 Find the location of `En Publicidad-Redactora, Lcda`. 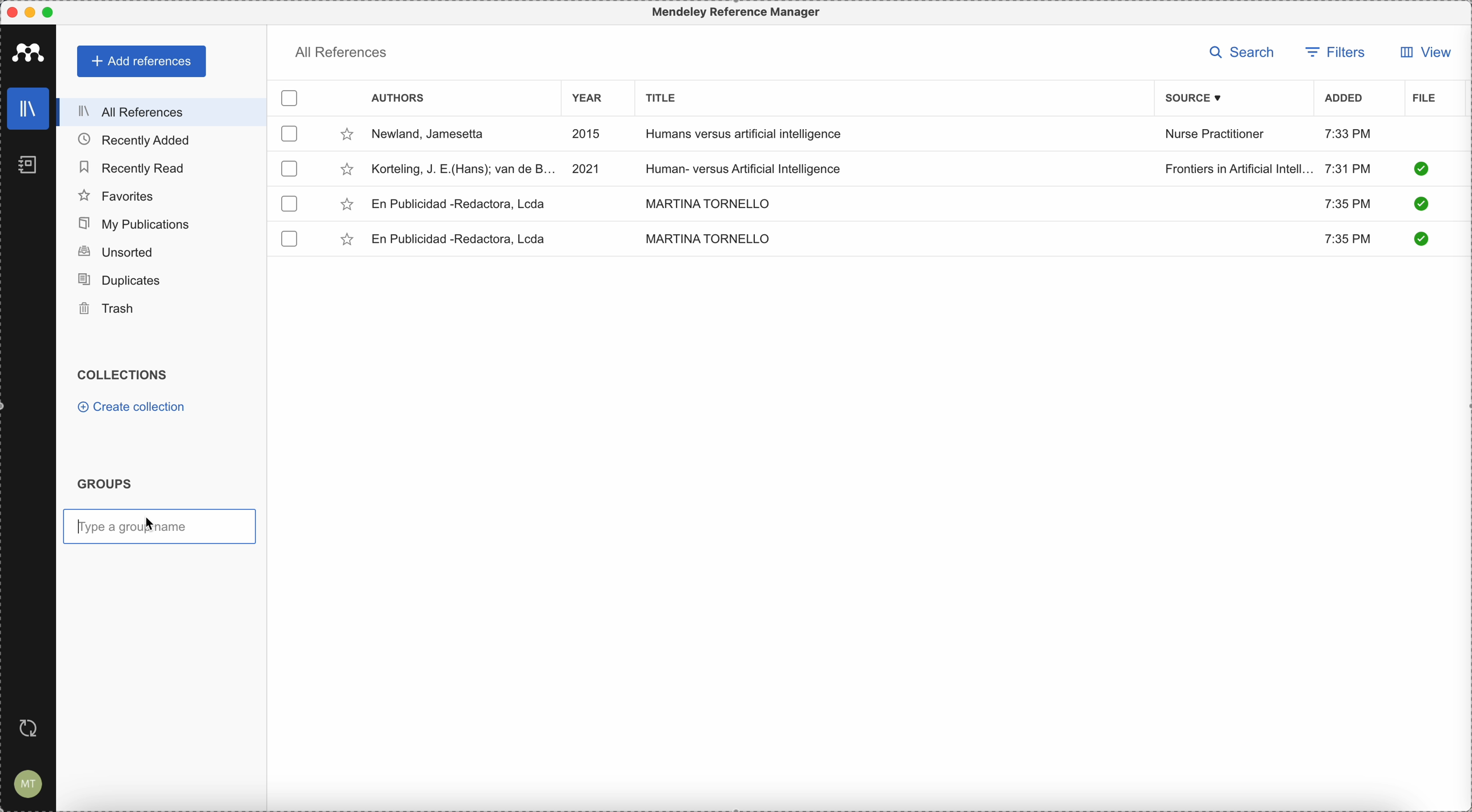

En Publicidad-Redactora, Lcda is located at coordinates (459, 204).